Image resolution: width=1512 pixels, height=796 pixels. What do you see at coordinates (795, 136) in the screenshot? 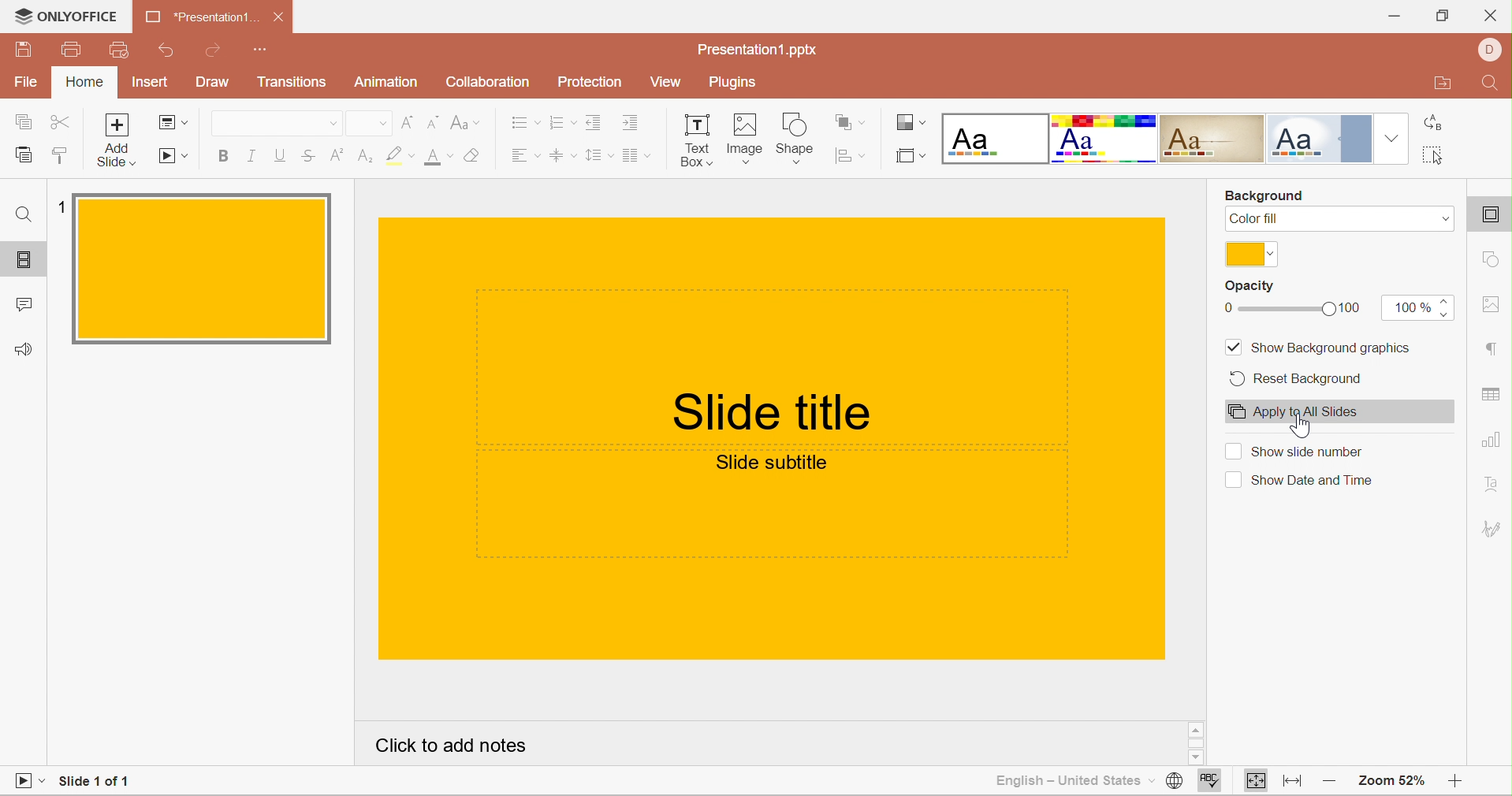
I see `Shape` at bounding box center [795, 136].